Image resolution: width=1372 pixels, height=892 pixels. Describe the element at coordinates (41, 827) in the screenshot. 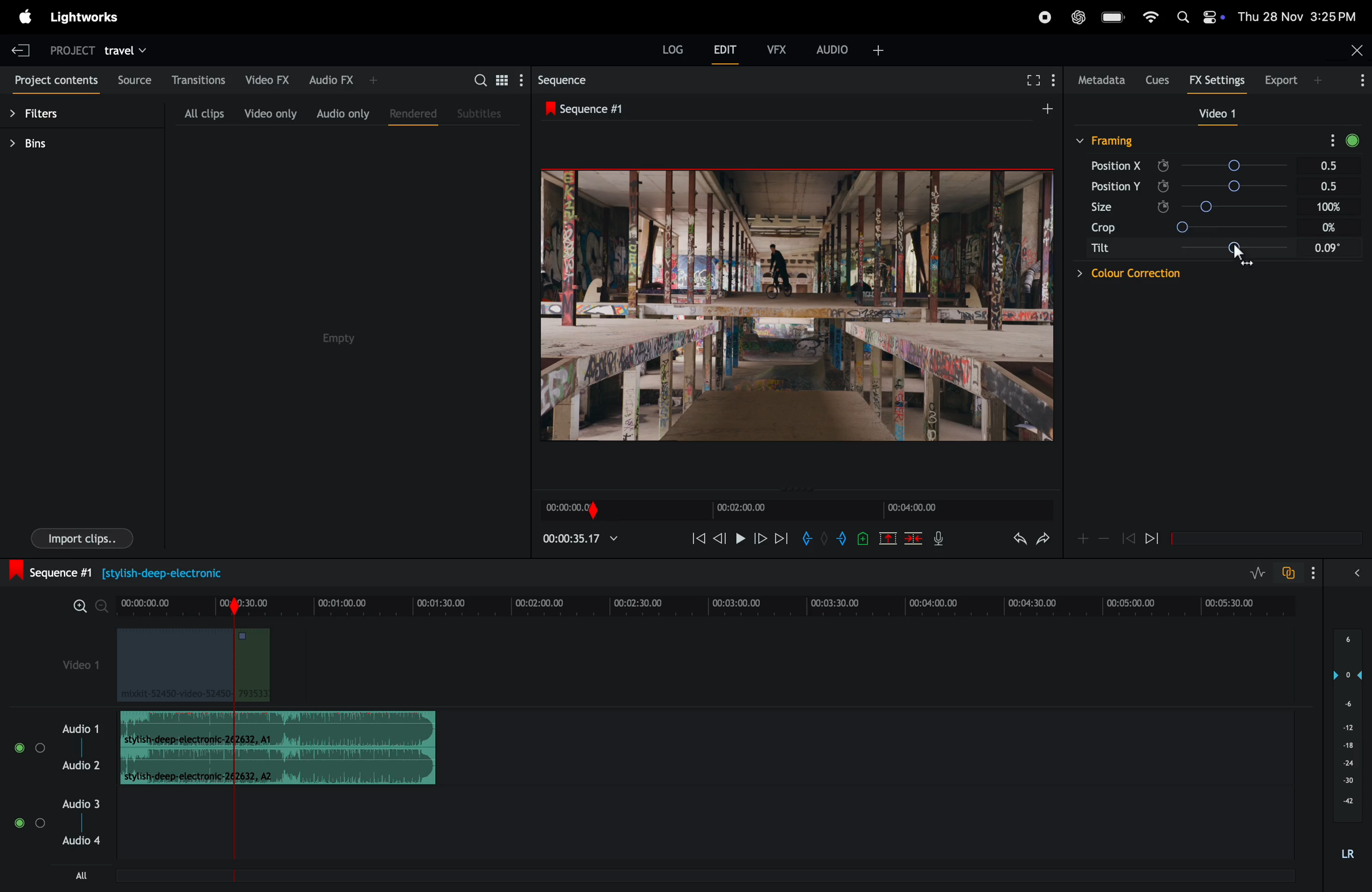

I see `Solo track` at that location.